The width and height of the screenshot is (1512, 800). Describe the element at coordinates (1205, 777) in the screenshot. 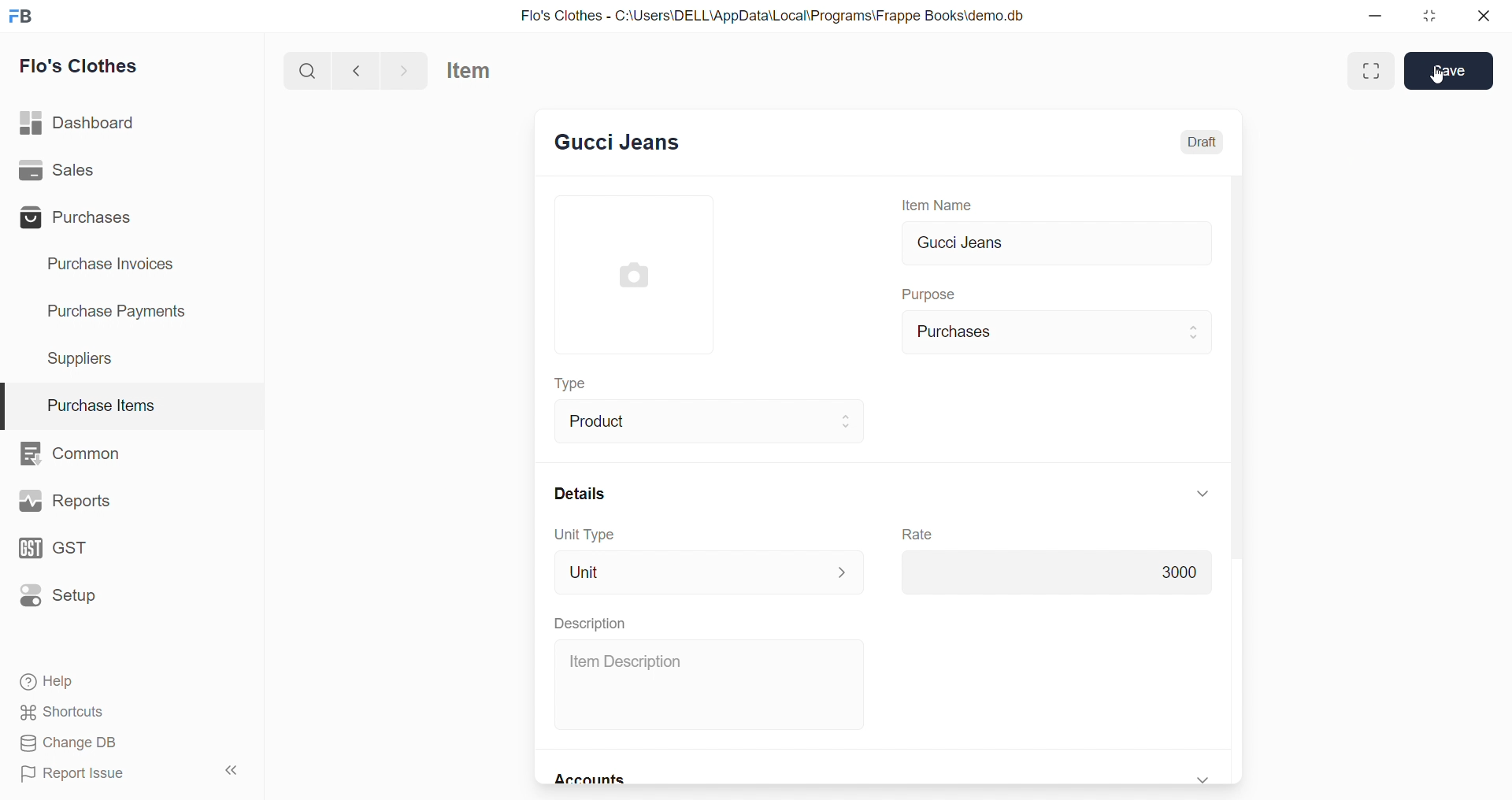

I see `expand/collapse` at that location.